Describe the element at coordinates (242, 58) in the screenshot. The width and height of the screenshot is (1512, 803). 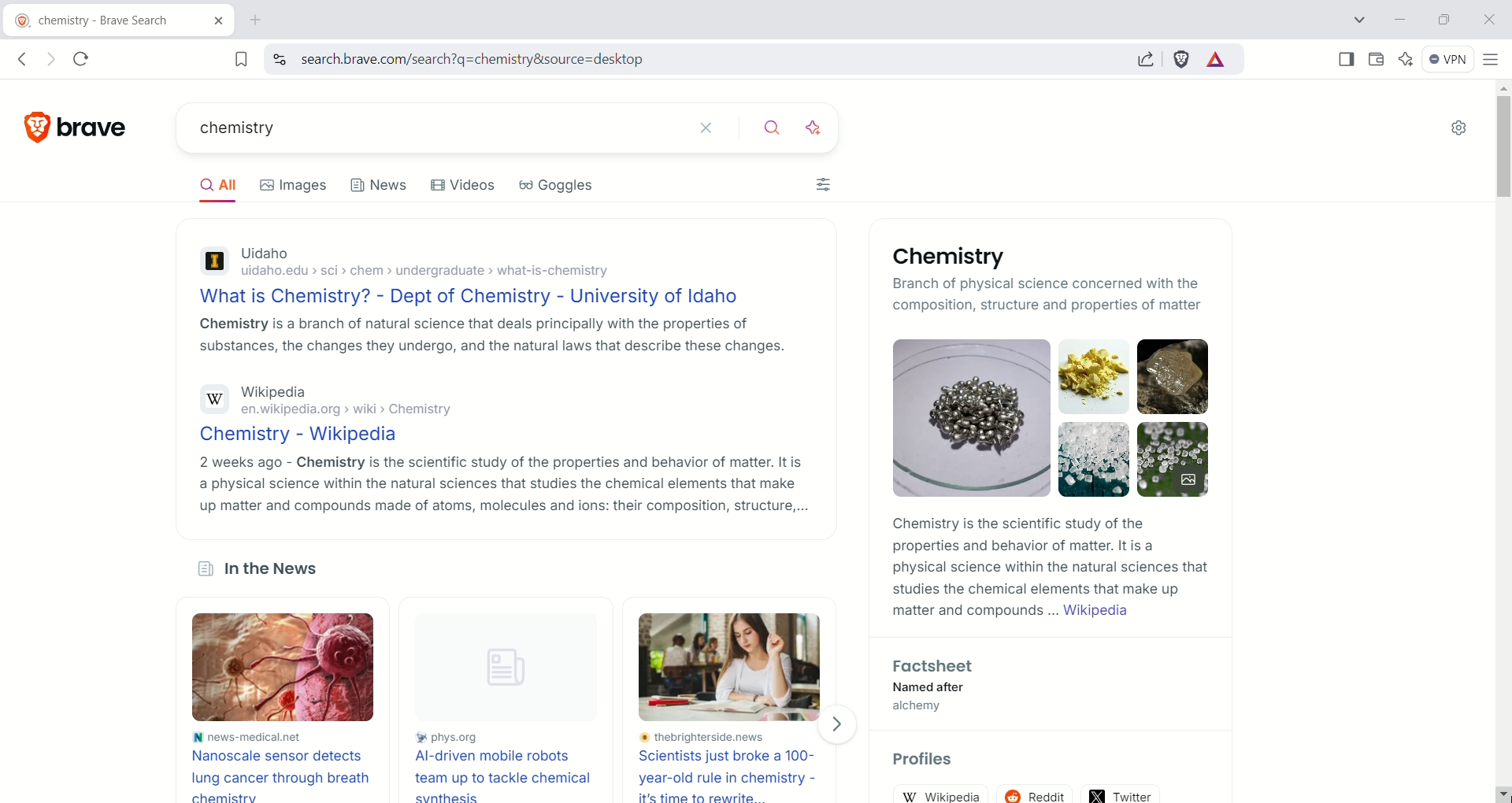
I see `bookmark this tab` at that location.